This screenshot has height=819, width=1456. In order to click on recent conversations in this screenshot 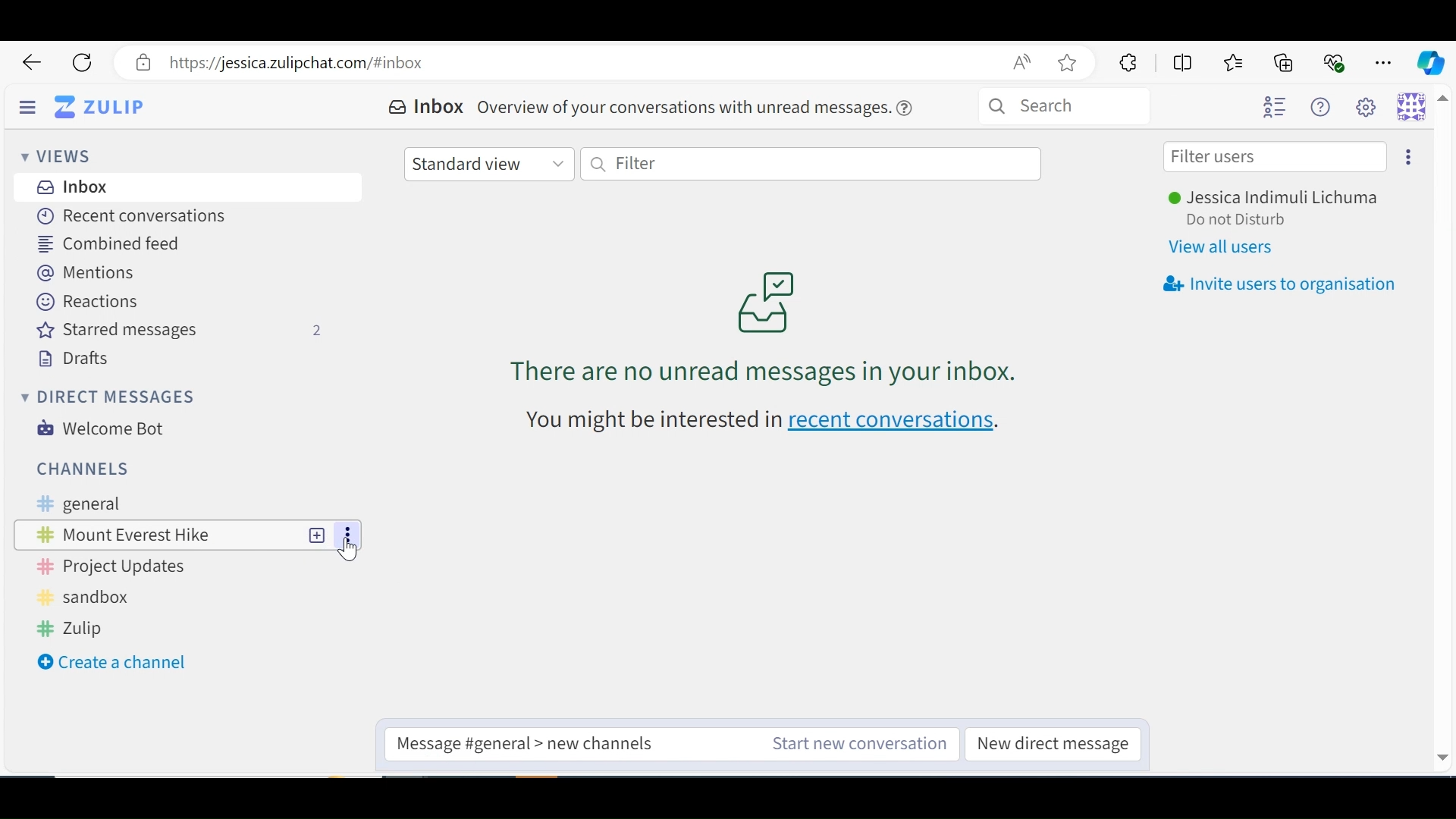, I will do `click(766, 421)`.